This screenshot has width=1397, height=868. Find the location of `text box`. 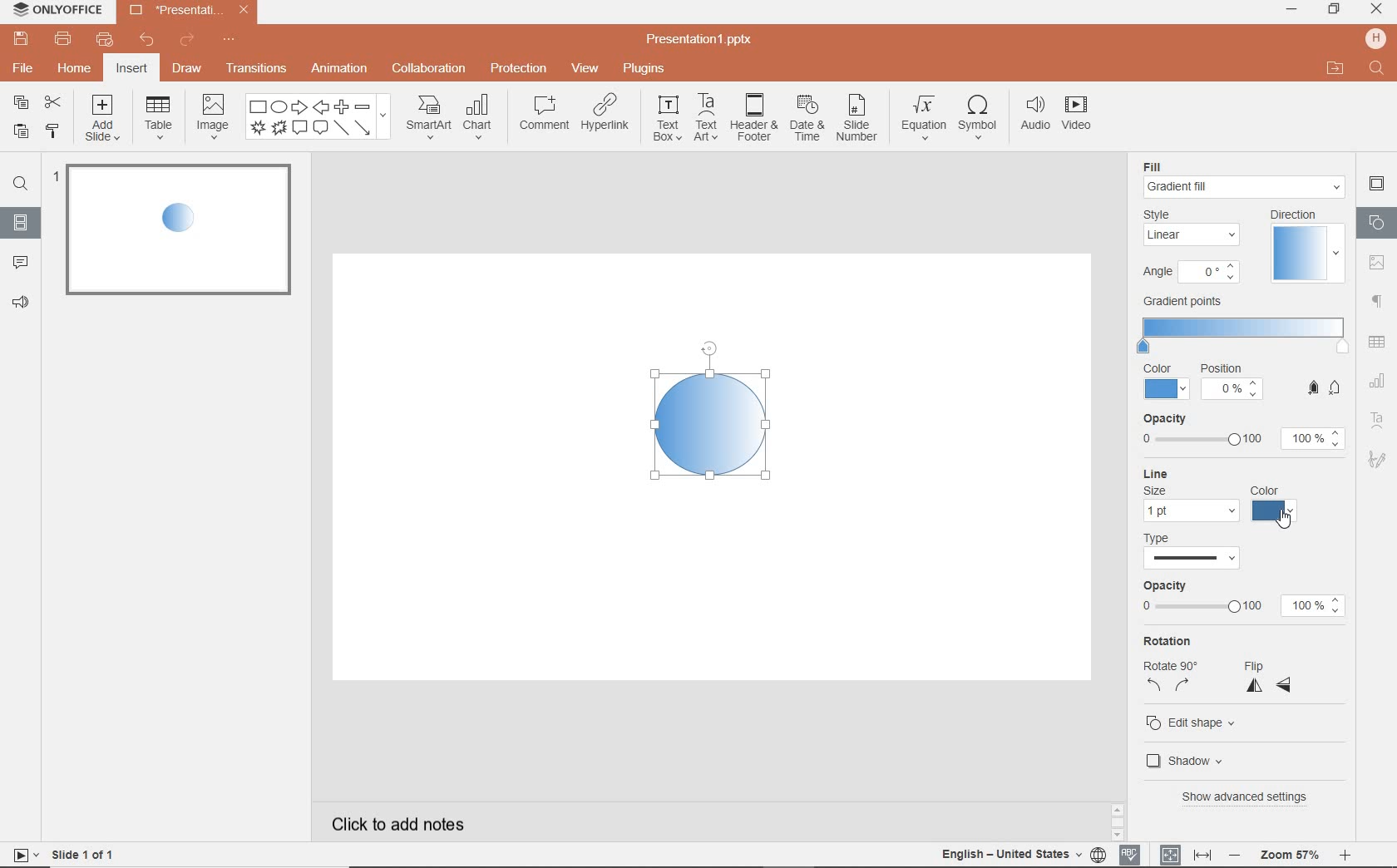

text box is located at coordinates (667, 118).